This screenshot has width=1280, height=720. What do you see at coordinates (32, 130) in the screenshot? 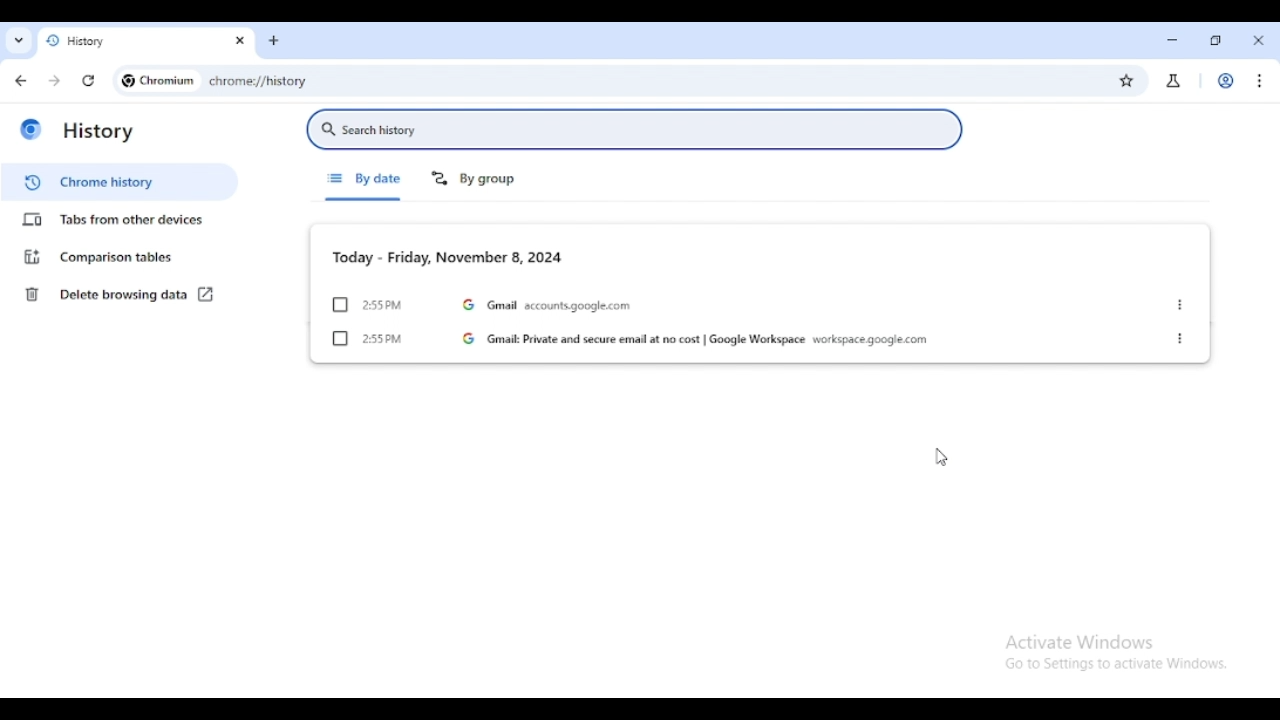
I see `logo` at bounding box center [32, 130].